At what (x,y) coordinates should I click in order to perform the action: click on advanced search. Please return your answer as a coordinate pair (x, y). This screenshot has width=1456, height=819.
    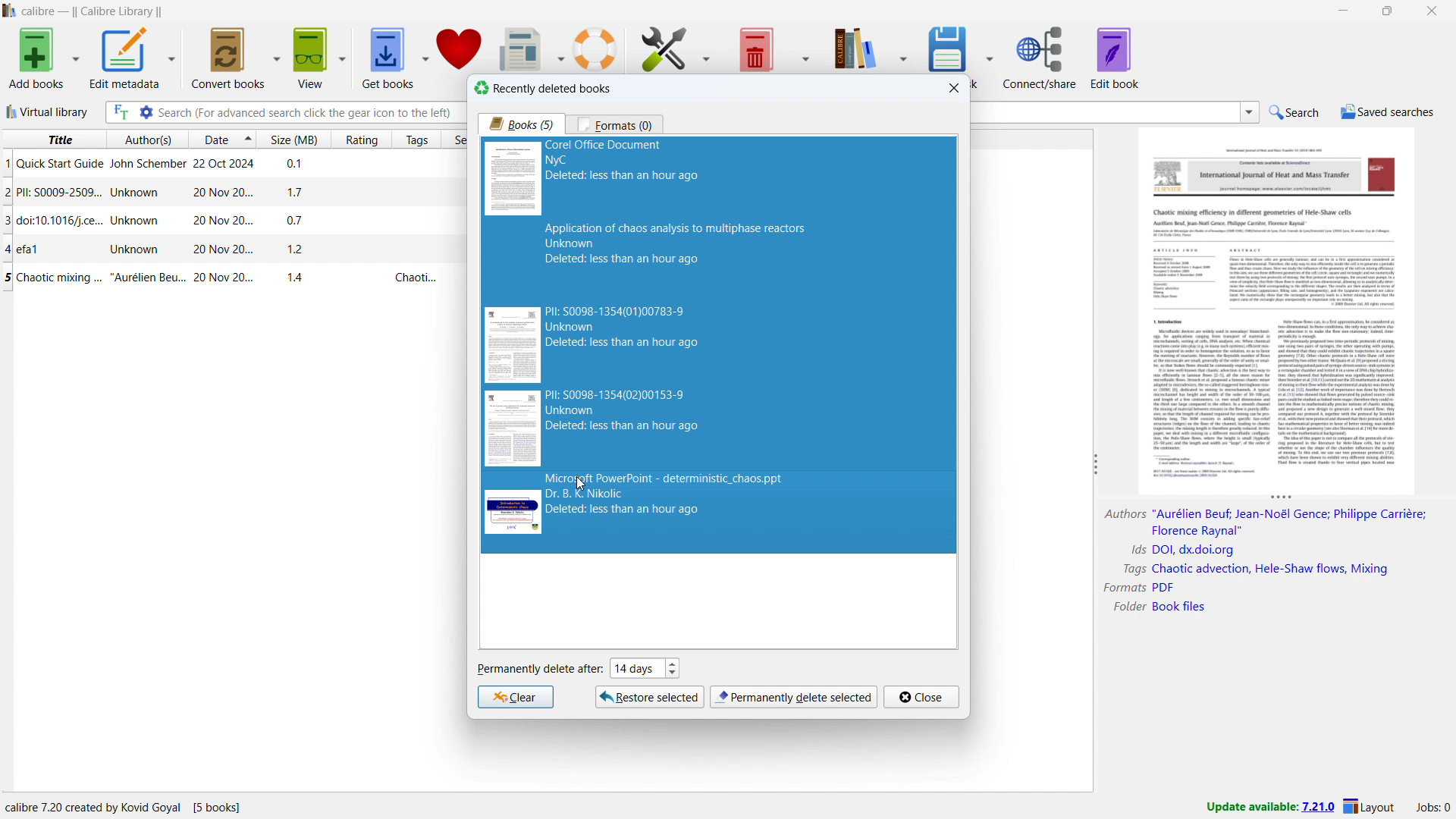
    Looking at the image, I should click on (146, 112).